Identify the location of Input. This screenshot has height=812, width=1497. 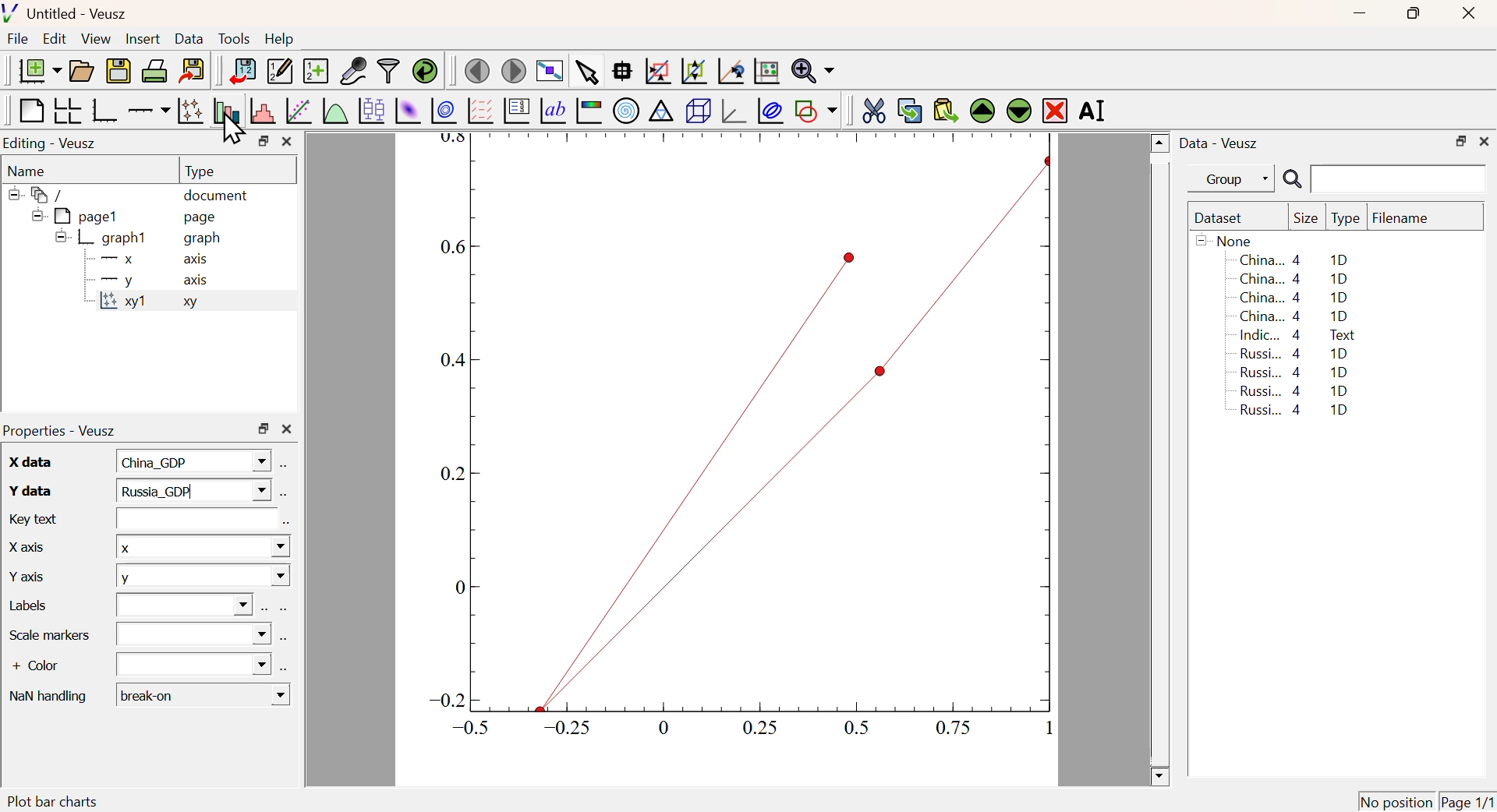
(192, 518).